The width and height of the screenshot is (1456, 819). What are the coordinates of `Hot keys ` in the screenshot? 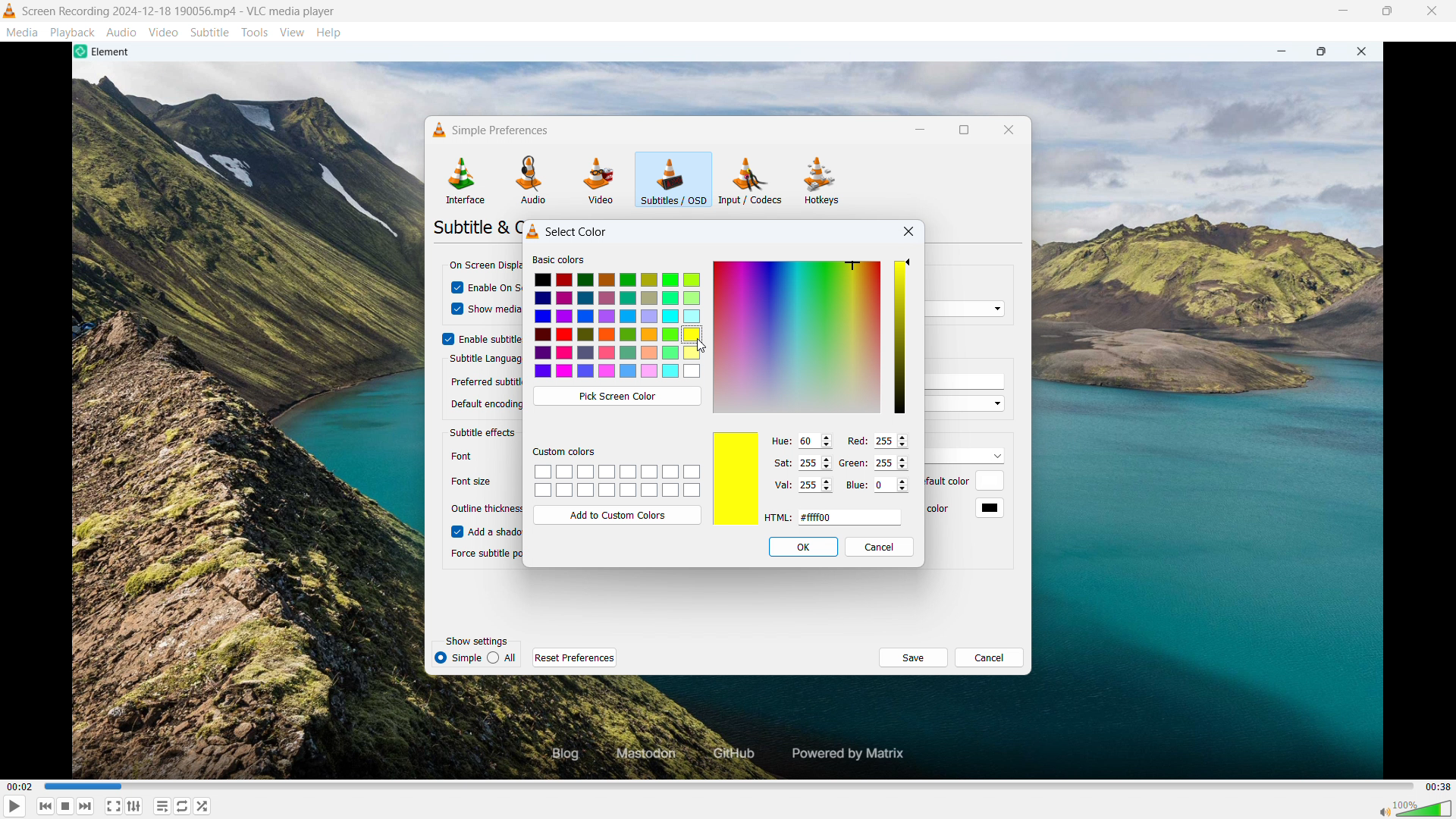 It's located at (821, 181).